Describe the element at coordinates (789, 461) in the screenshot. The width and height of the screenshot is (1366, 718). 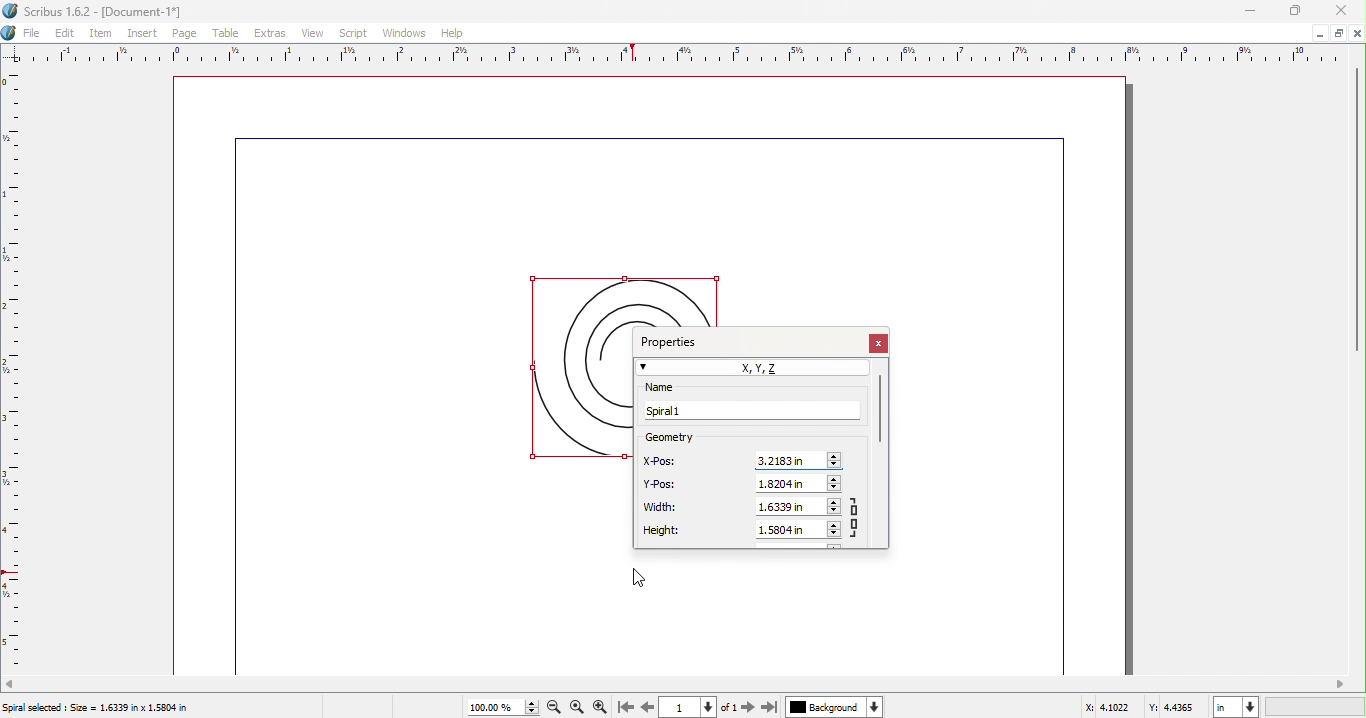
I see `Horizontal position of current basepoint` at that location.